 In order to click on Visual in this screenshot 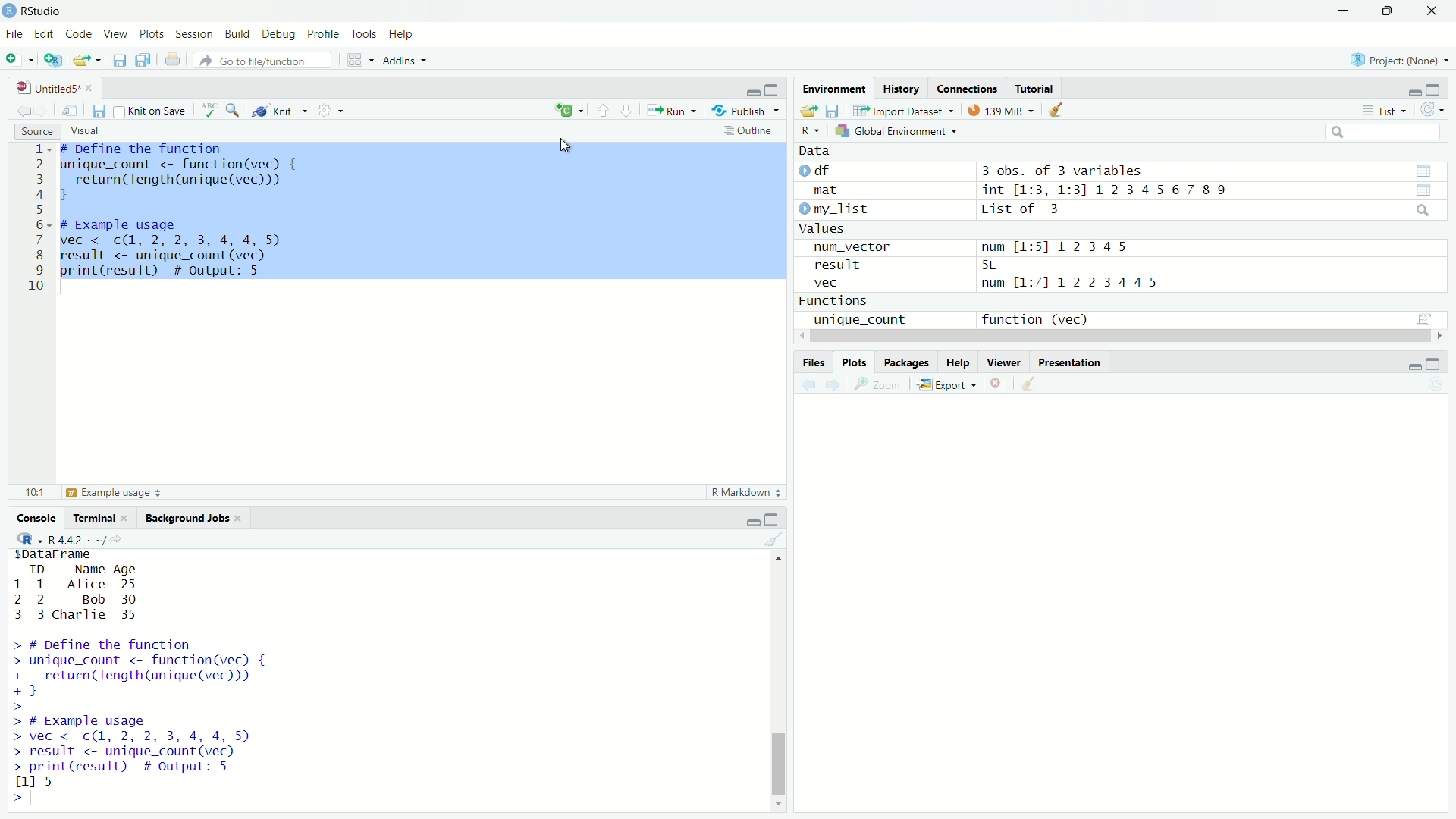, I will do `click(87, 130)`.